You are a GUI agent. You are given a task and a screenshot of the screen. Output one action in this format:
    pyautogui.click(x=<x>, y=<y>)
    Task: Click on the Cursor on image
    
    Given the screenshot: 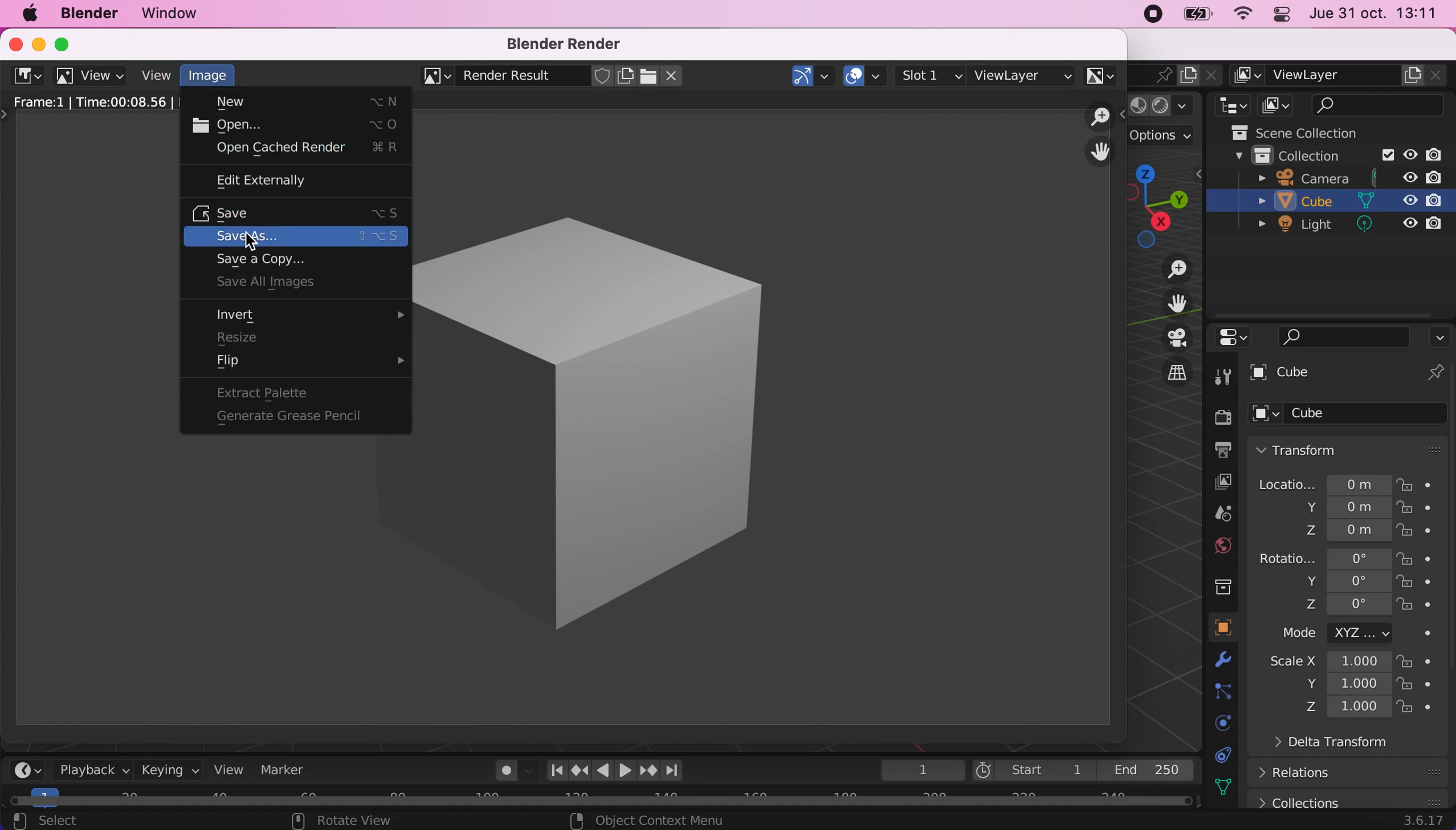 What is the action you would take?
    pyautogui.click(x=212, y=78)
    